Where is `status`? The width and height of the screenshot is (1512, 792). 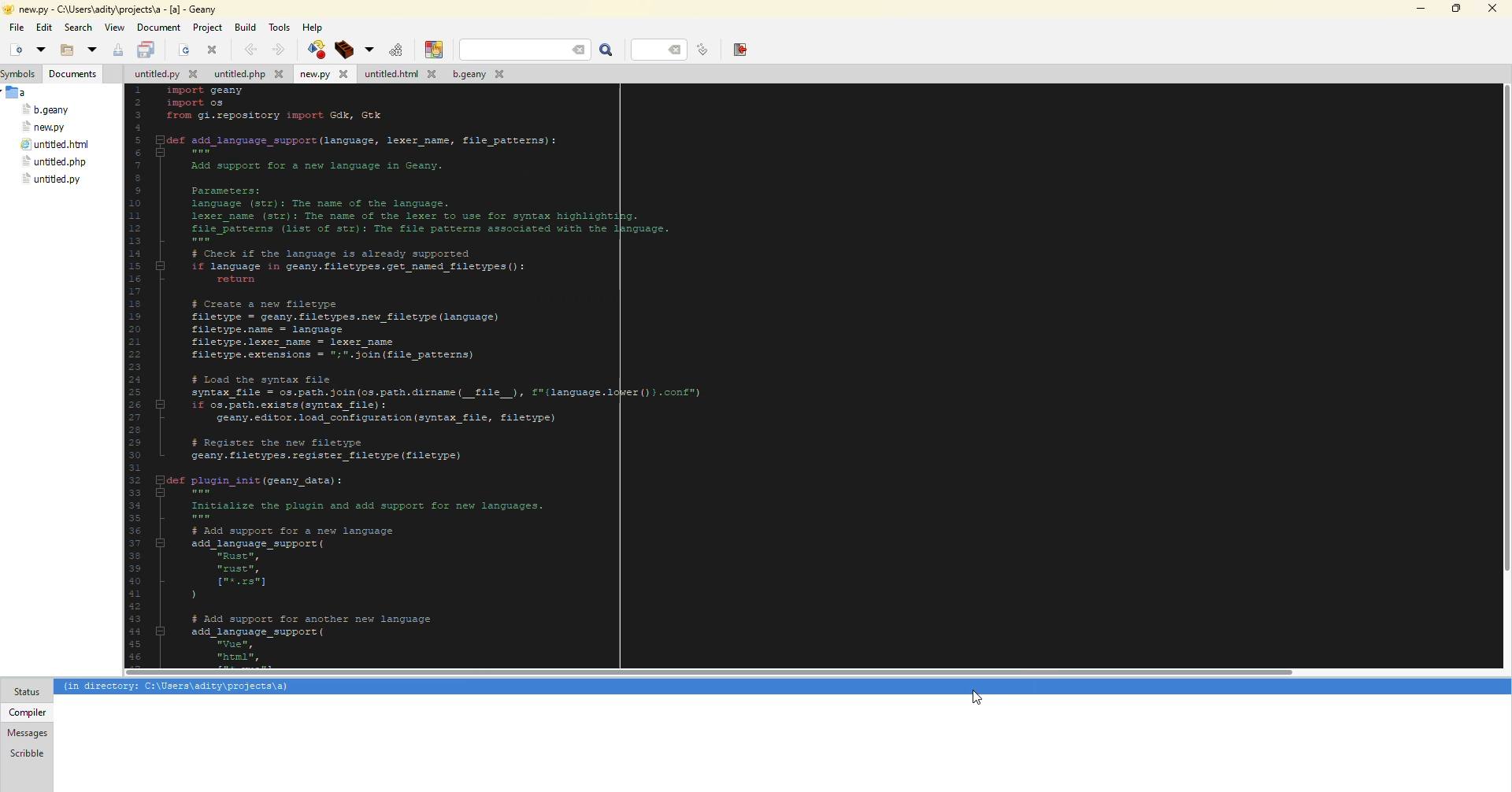
status is located at coordinates (27, 692).